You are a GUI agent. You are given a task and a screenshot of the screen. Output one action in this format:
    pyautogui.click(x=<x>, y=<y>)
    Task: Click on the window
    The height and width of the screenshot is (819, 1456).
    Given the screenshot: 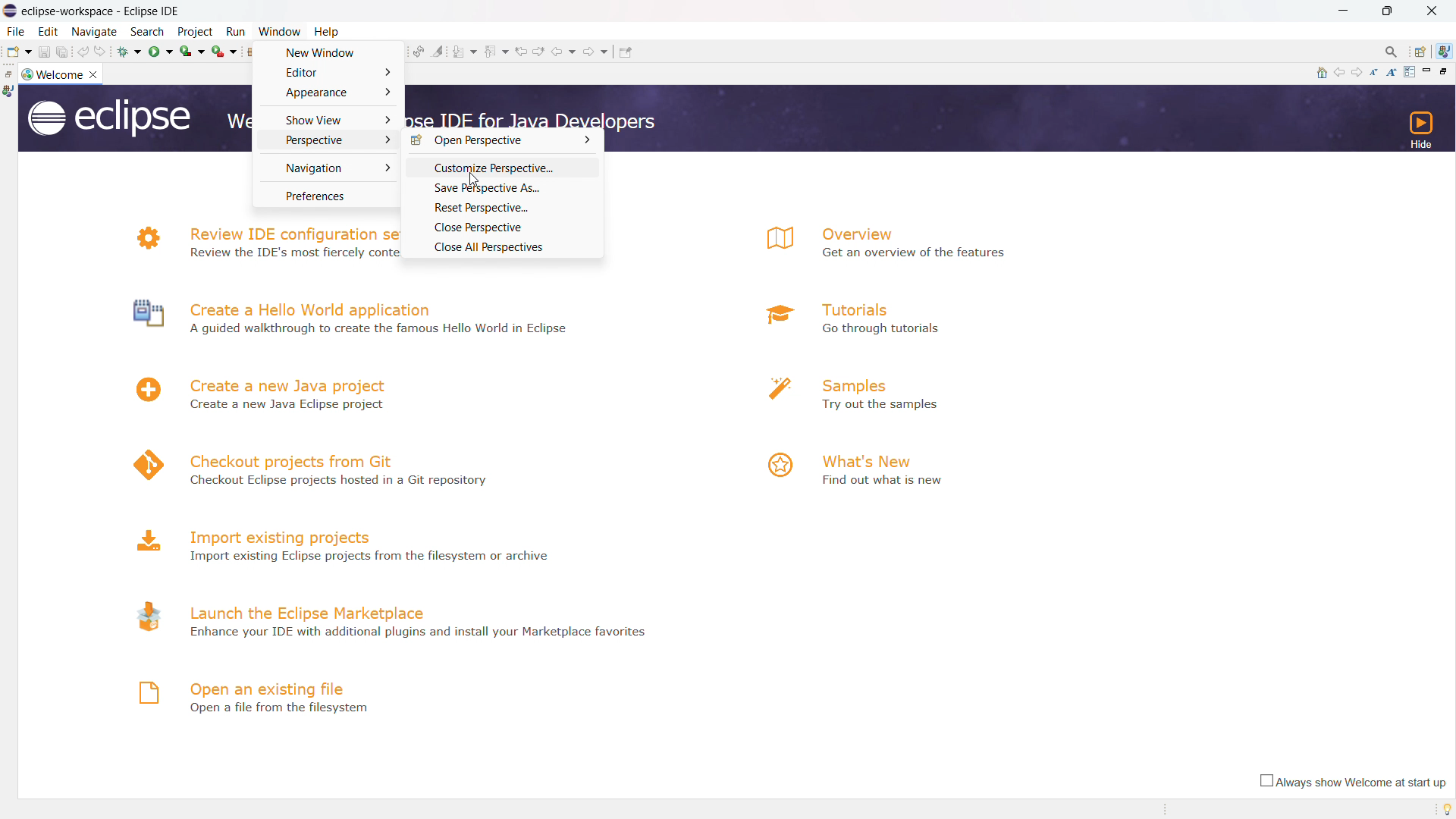 What is the action you would take?
    pyautogui.click(x=278, y=32)
    